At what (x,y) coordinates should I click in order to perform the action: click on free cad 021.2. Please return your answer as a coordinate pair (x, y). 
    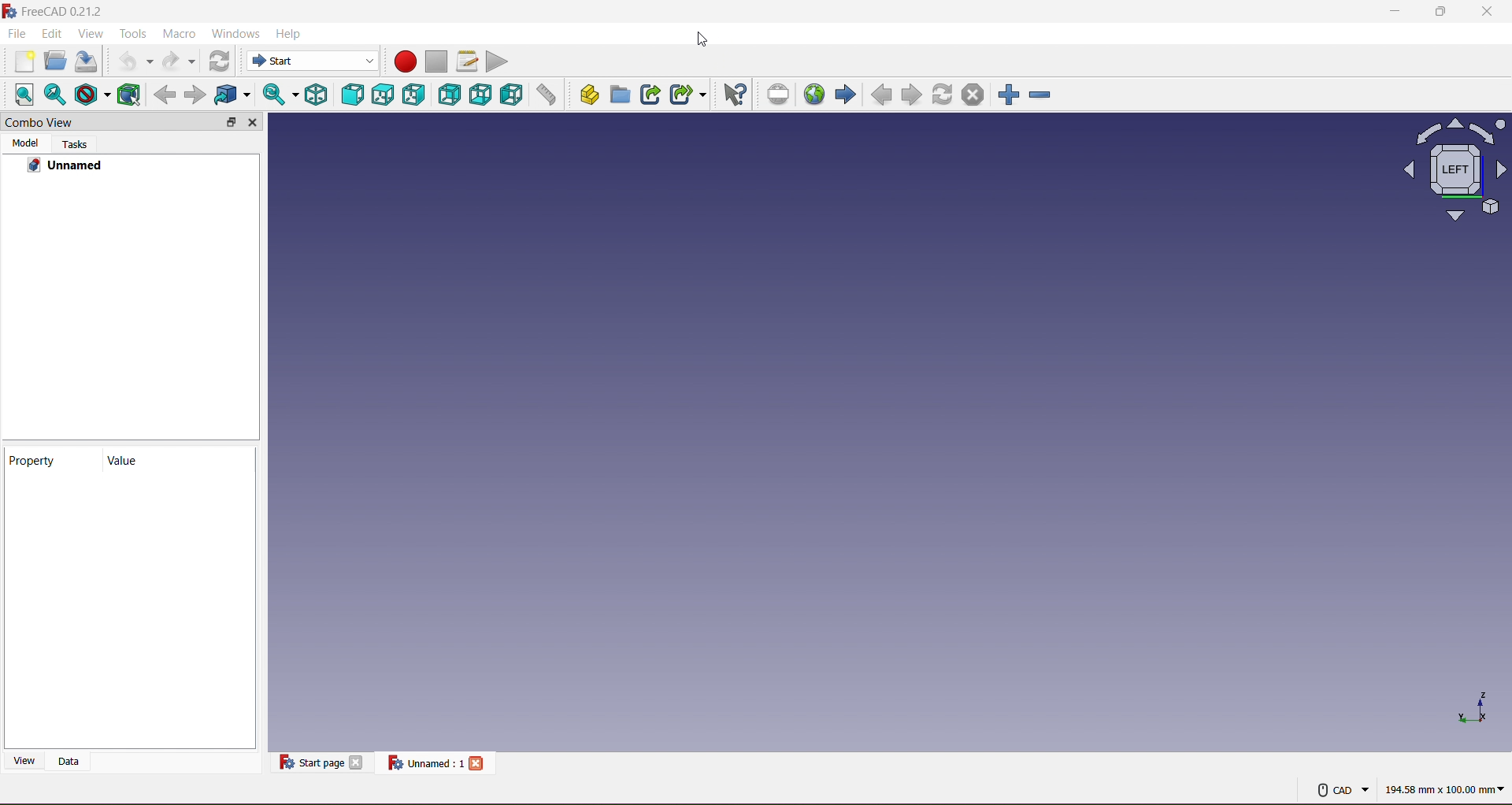
    Looking at the image, I should click on (82, 13).